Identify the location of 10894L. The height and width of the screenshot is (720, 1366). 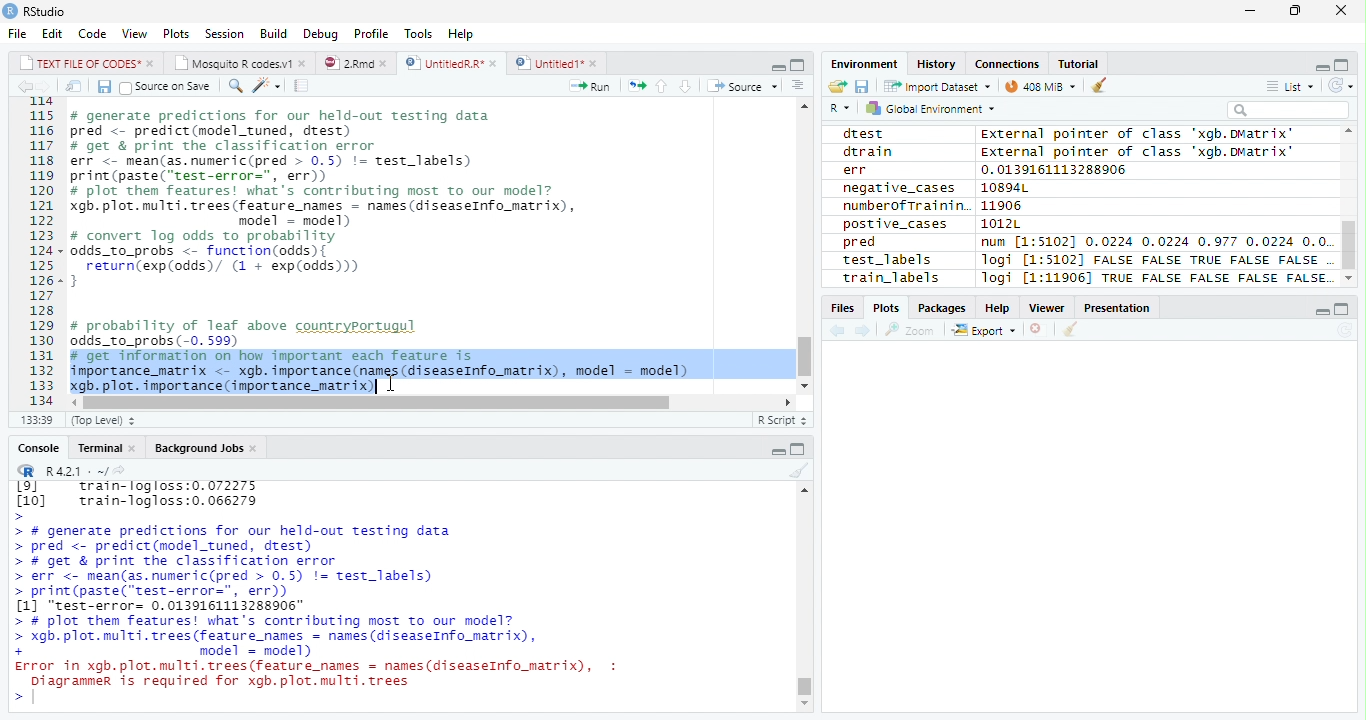
(1008, 188).